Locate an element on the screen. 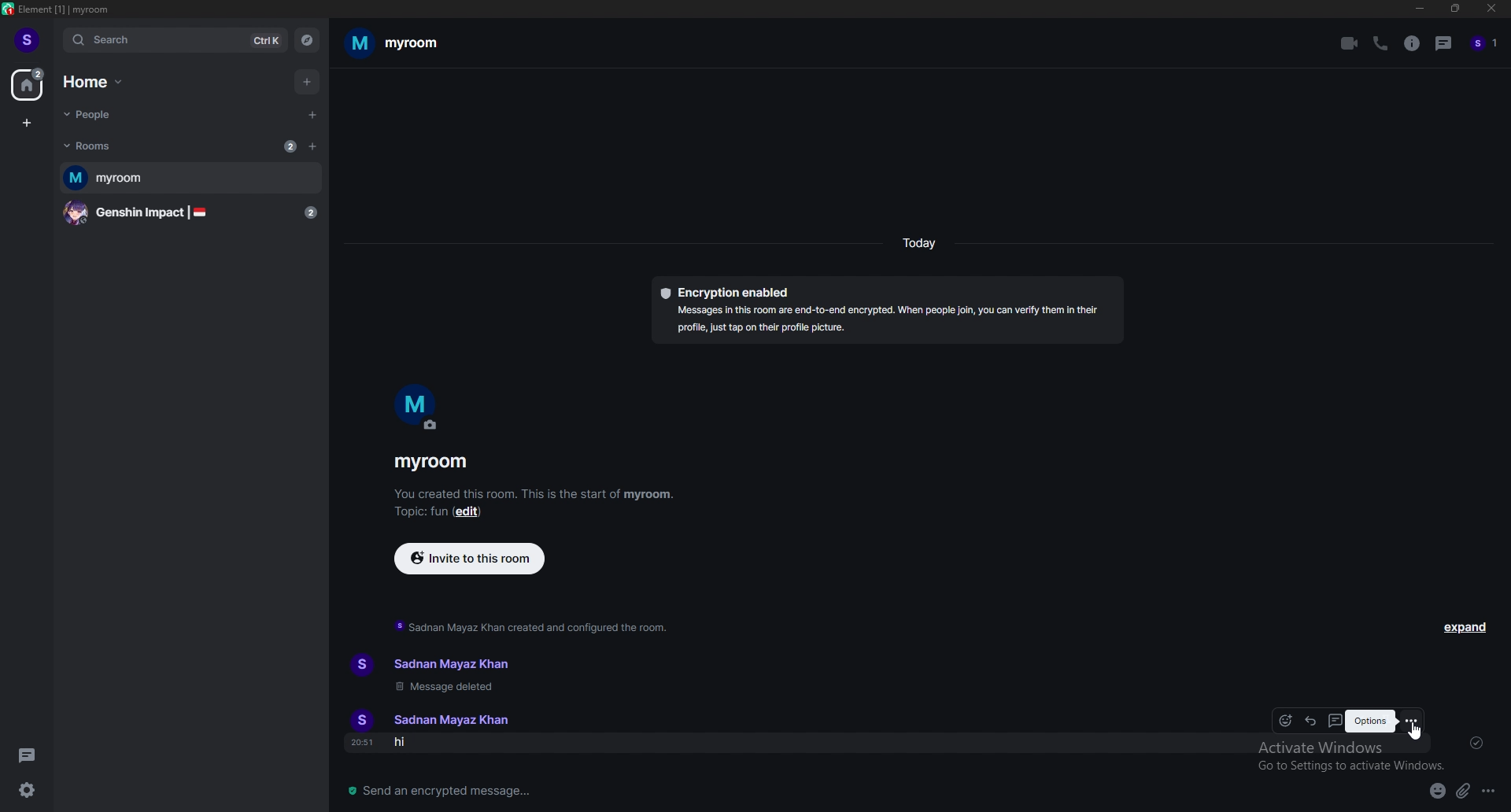 The height and width of the screenshot is (812, 1511). add room is located at coordinates (313, 146).